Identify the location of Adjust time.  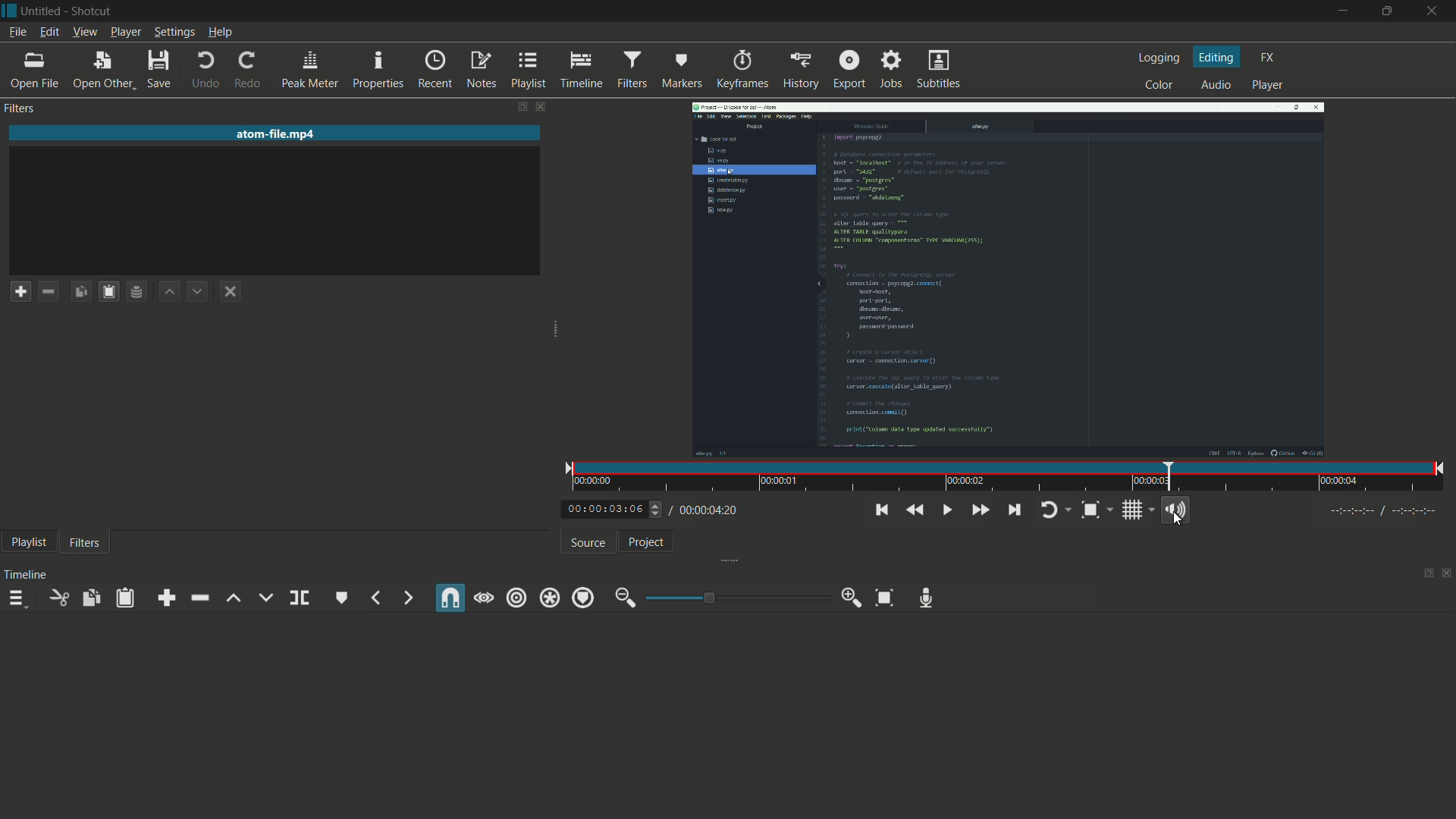
(657, 513).